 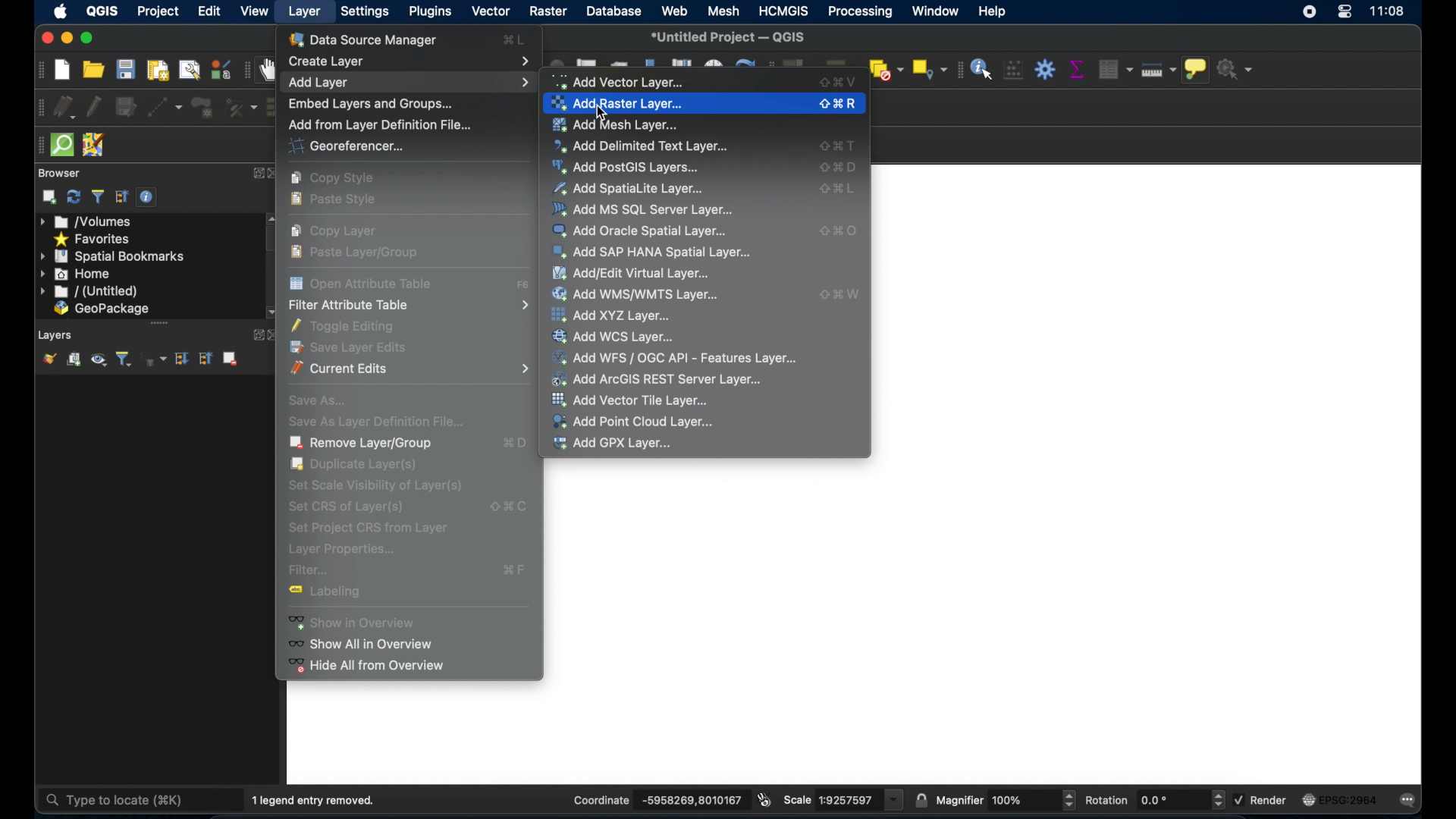 What do you see at coordinates (208, 358) in the screenshot?
I see `collapse all` at bounding box center [208, 358].